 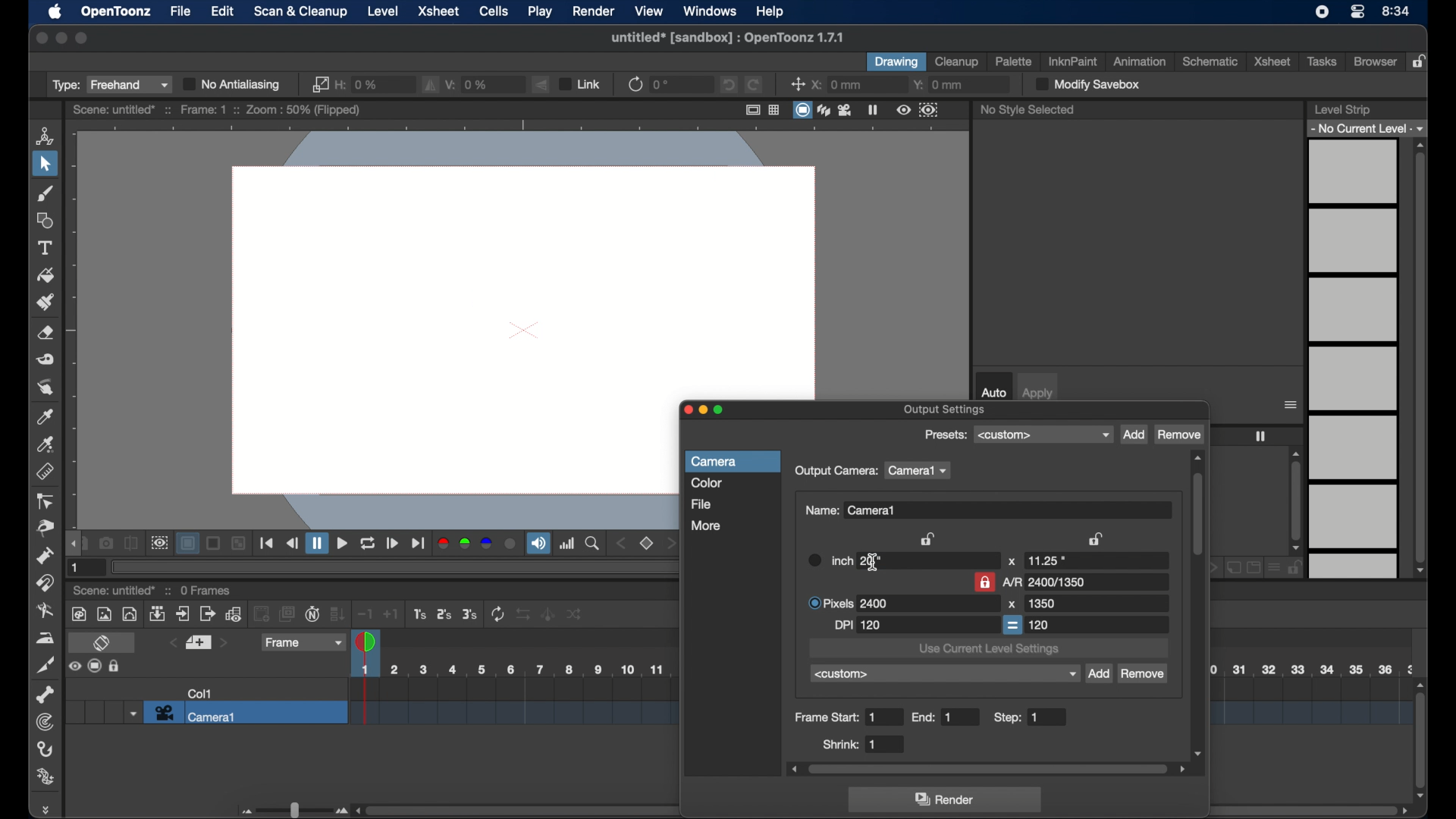 I want to click on slider, so click(x=292, y=810).